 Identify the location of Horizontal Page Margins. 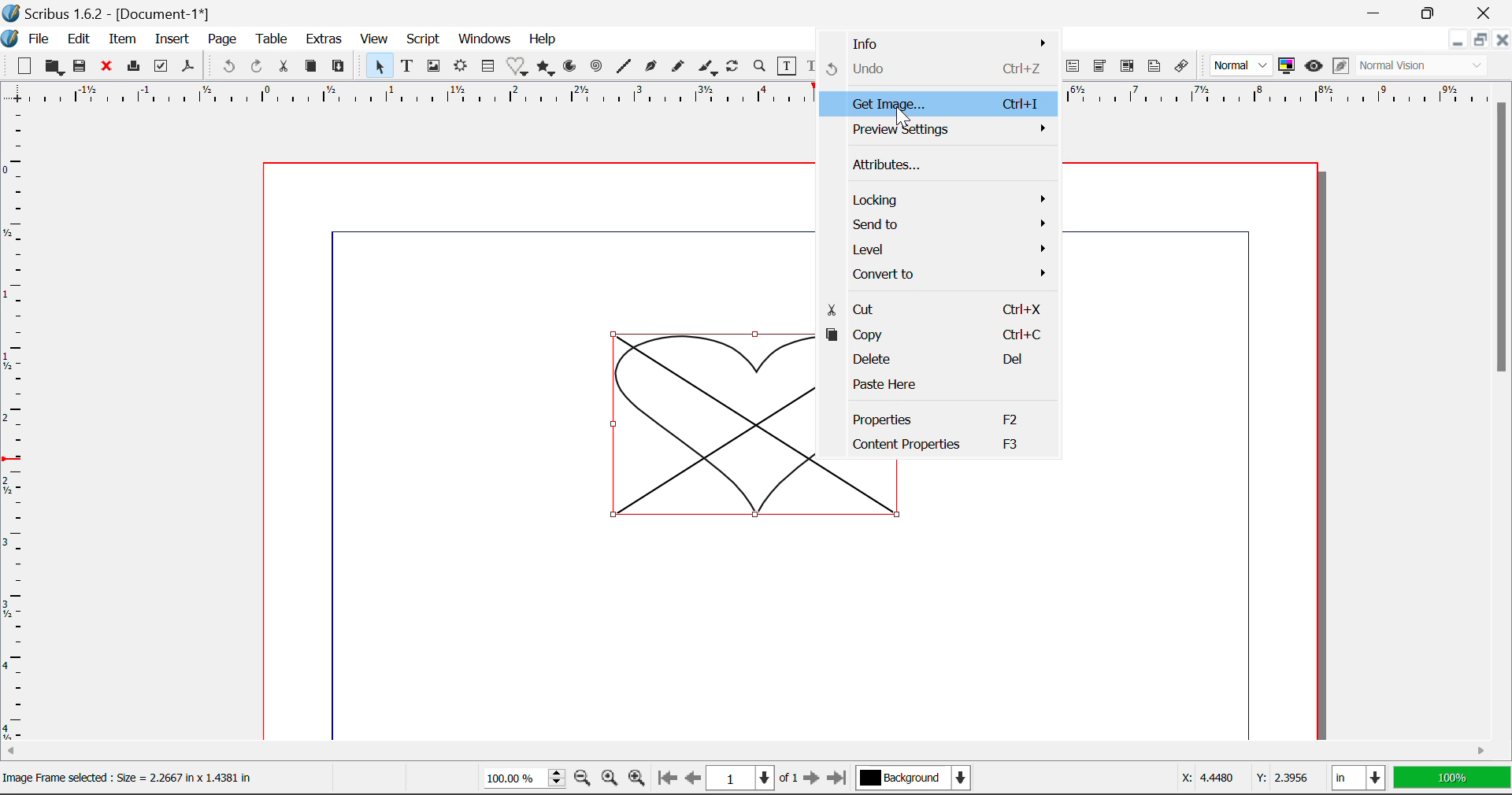
(14, 427).